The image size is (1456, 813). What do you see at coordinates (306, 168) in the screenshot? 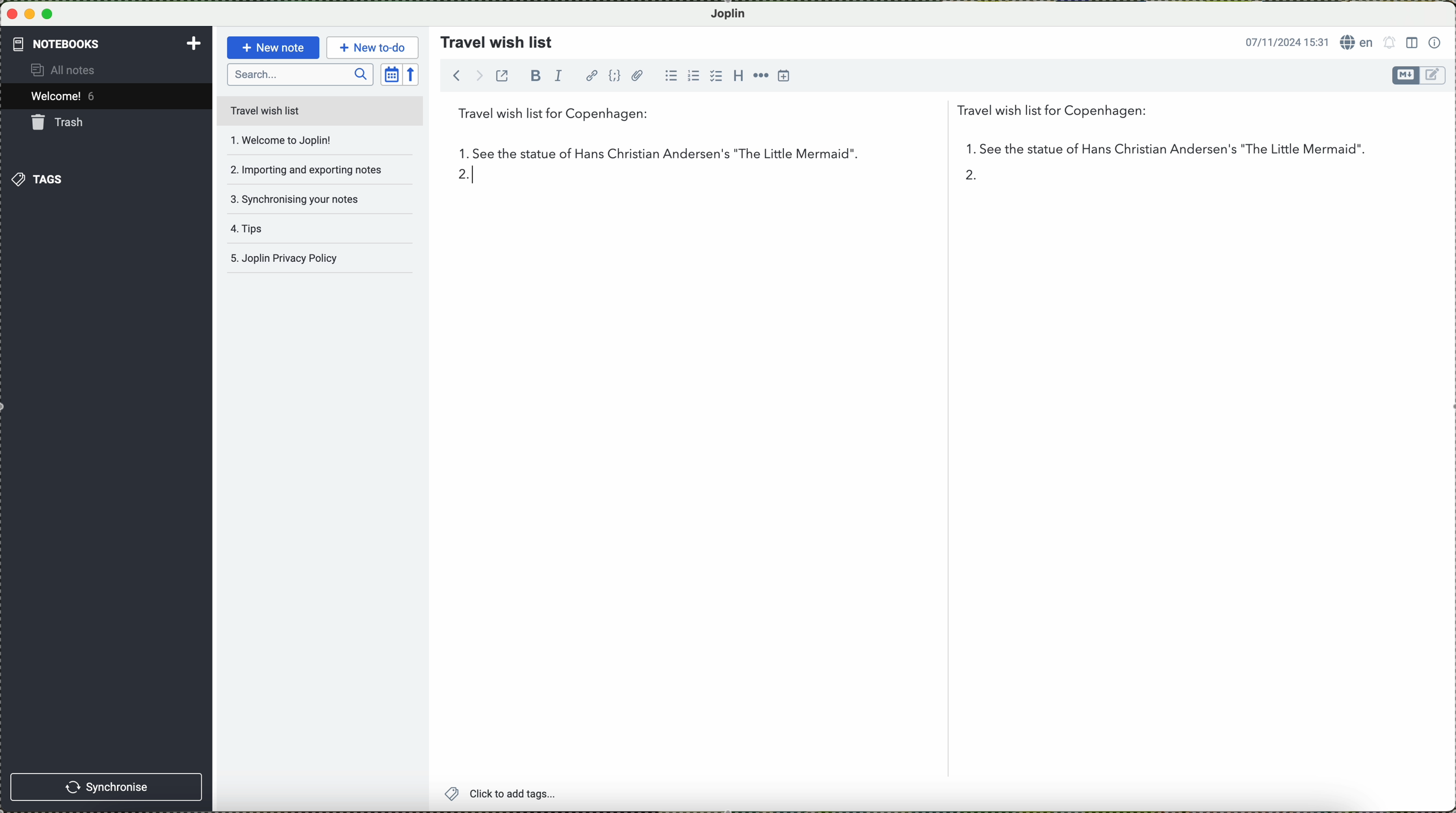
I see `importing and exporting notes` at bounding box center [306, 168].